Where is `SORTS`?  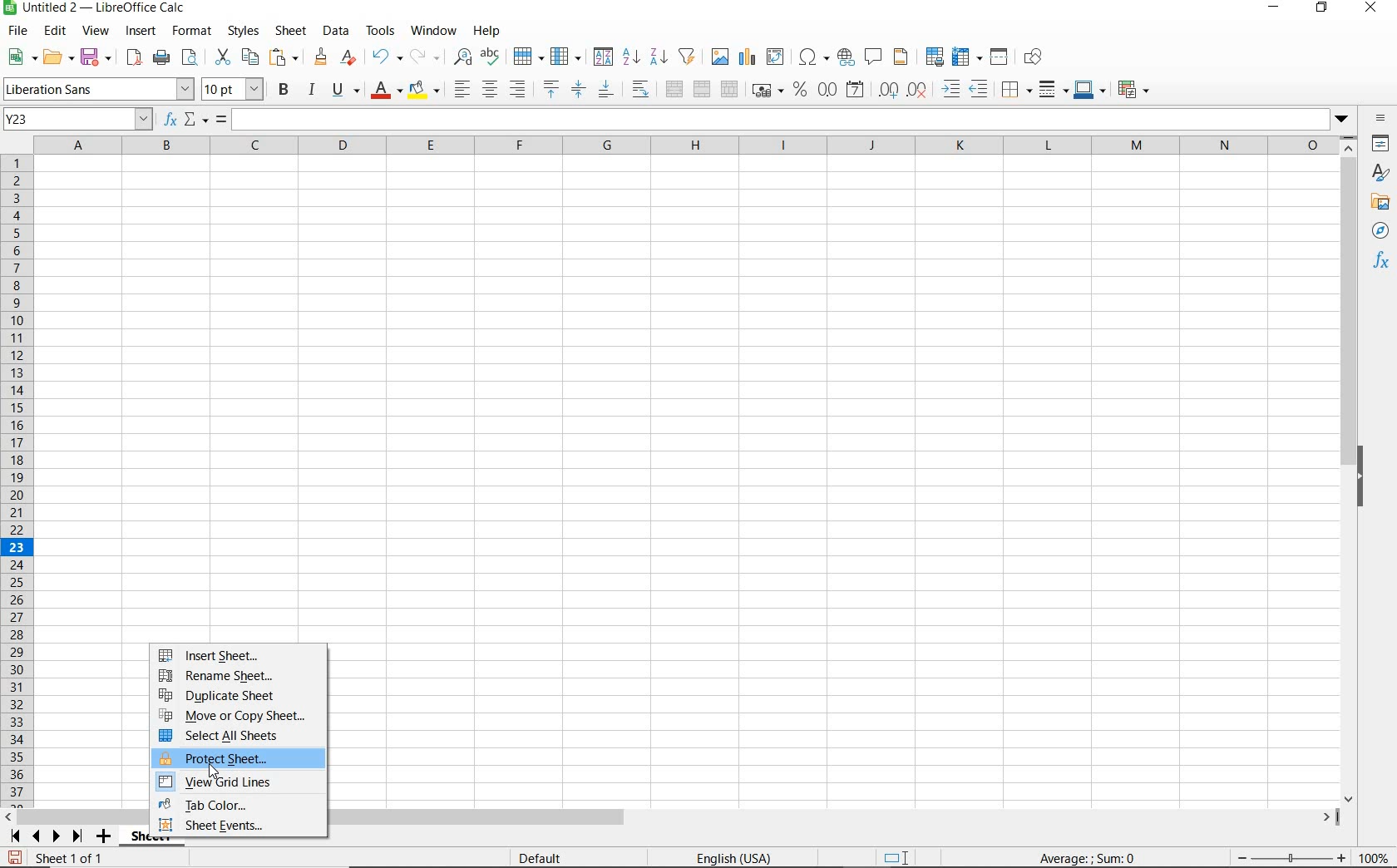 SORTS is located at coordinates (604, 57).